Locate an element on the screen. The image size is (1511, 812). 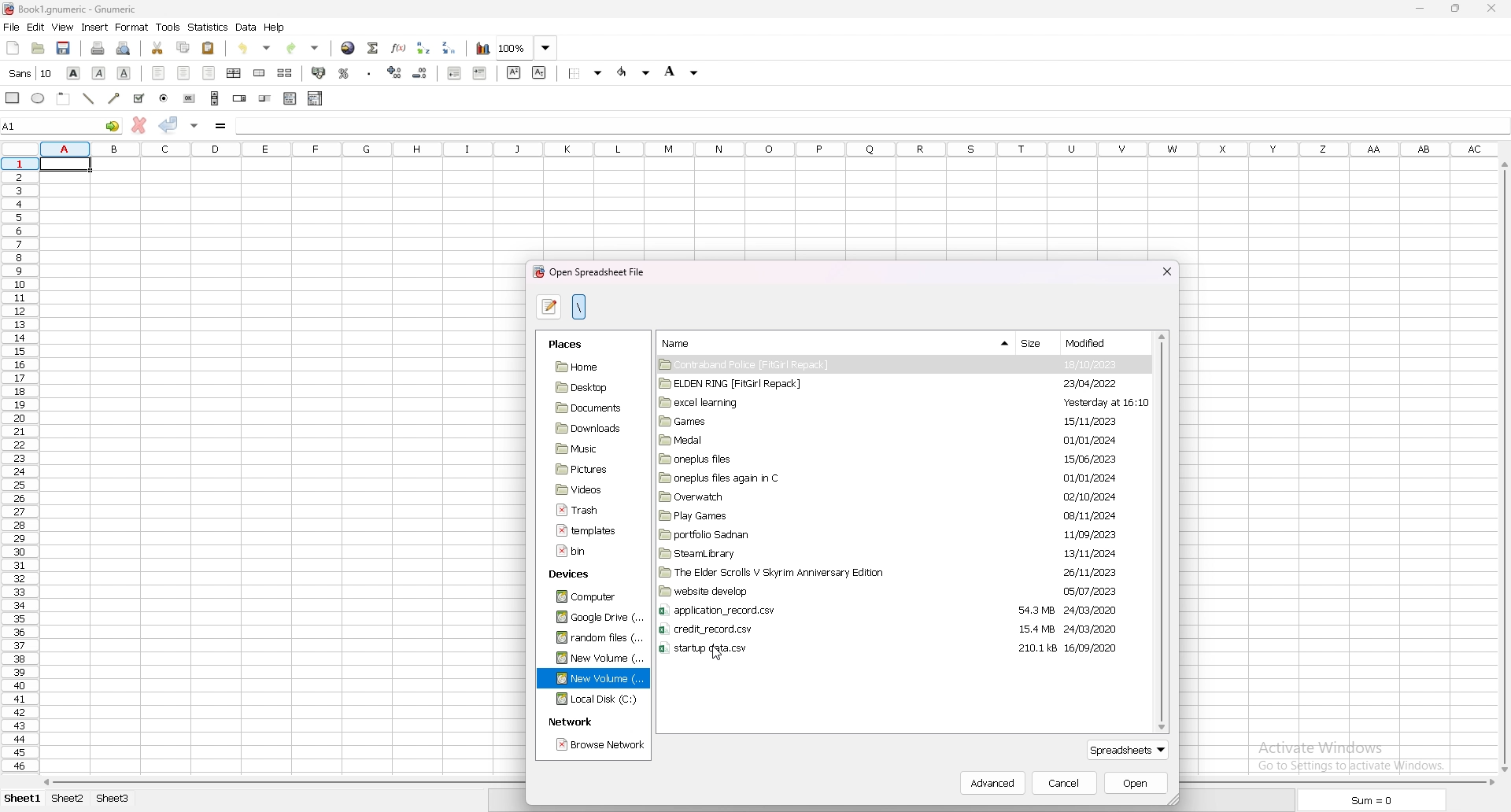
increase decimals is located at coordinates (395, 72).